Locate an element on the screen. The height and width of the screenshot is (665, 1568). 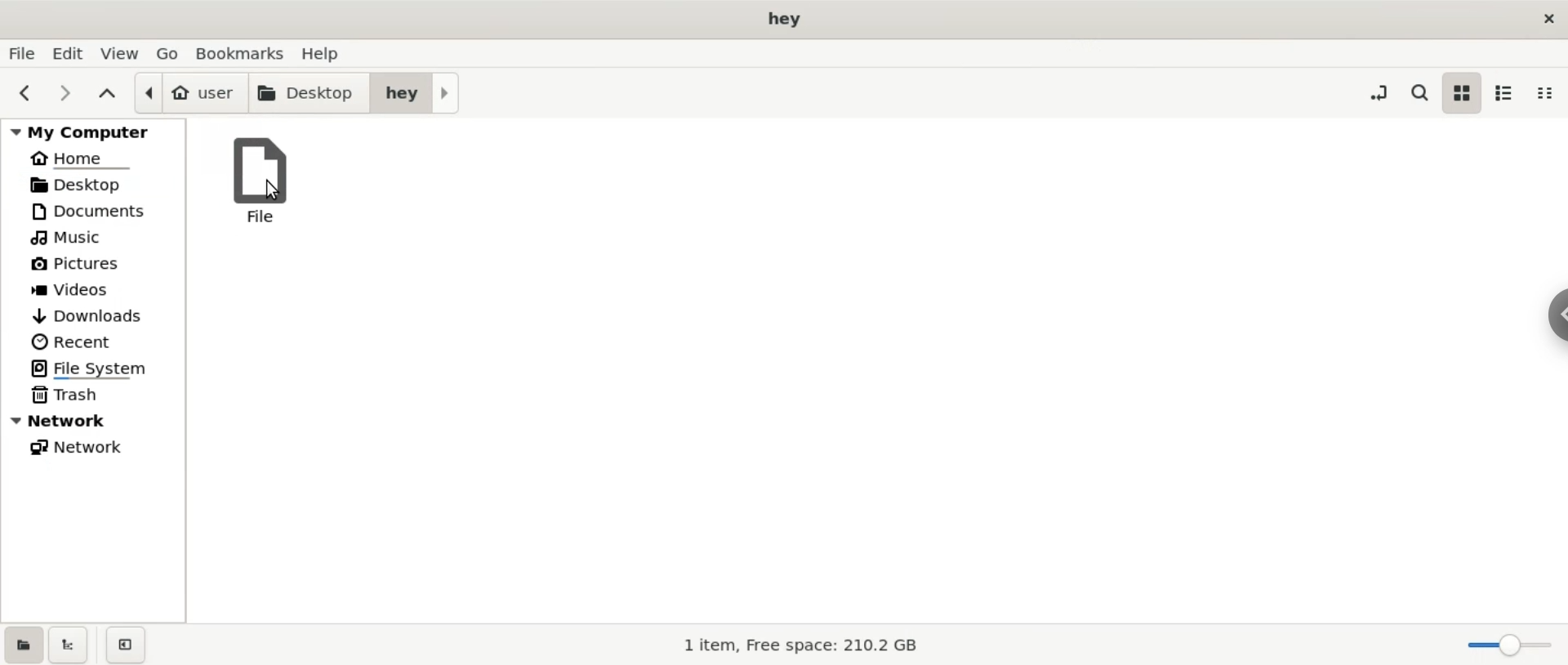
my computer is located at coordinates (89, 132).